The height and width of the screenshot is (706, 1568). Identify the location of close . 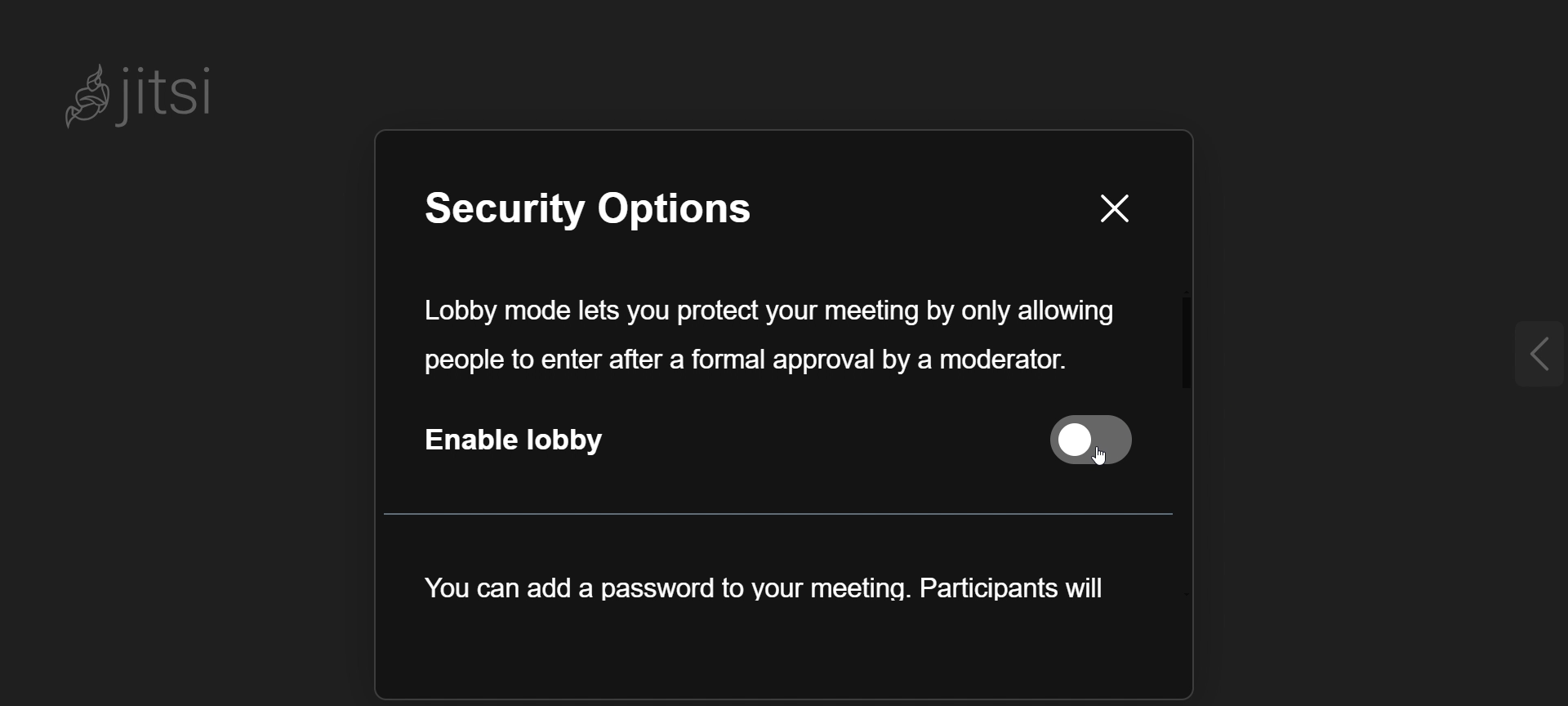
(1112, 209).